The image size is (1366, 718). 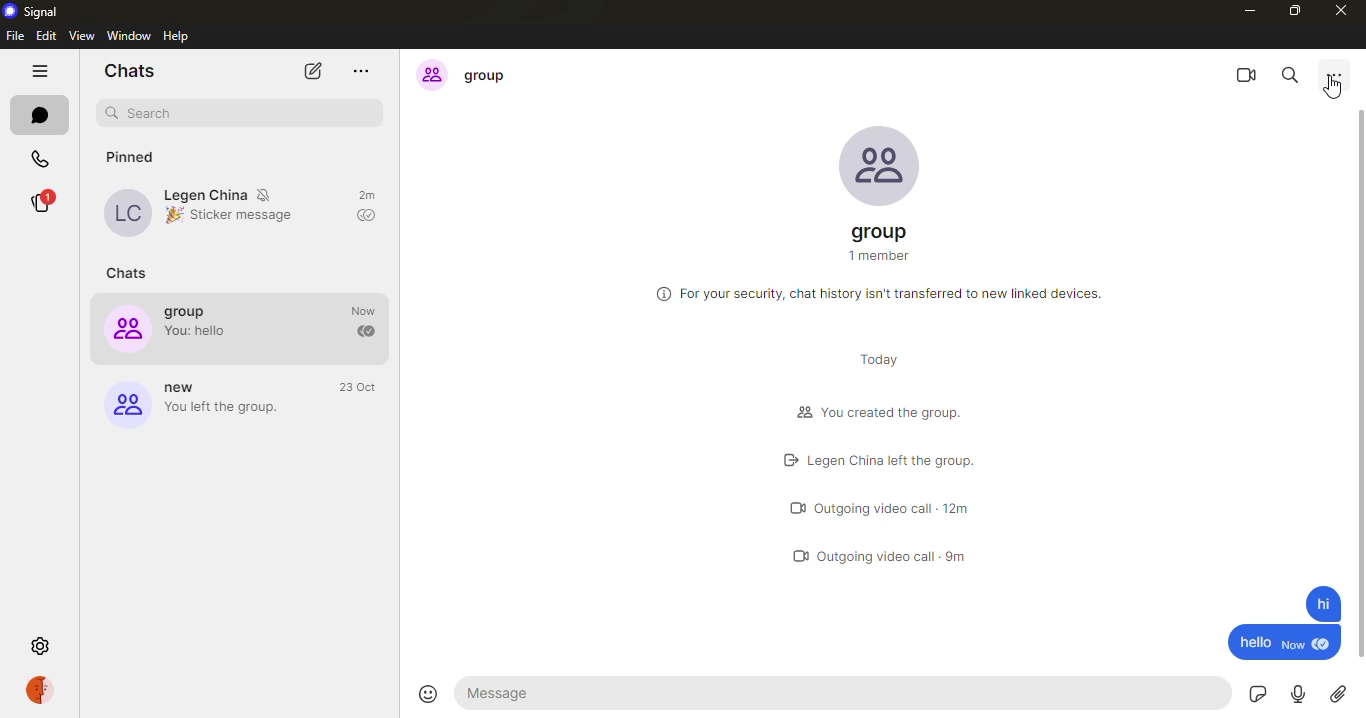 What do you see at coordinates (124, 213) in the screenshot?
I see `profile` at bounding box center [124, 213].